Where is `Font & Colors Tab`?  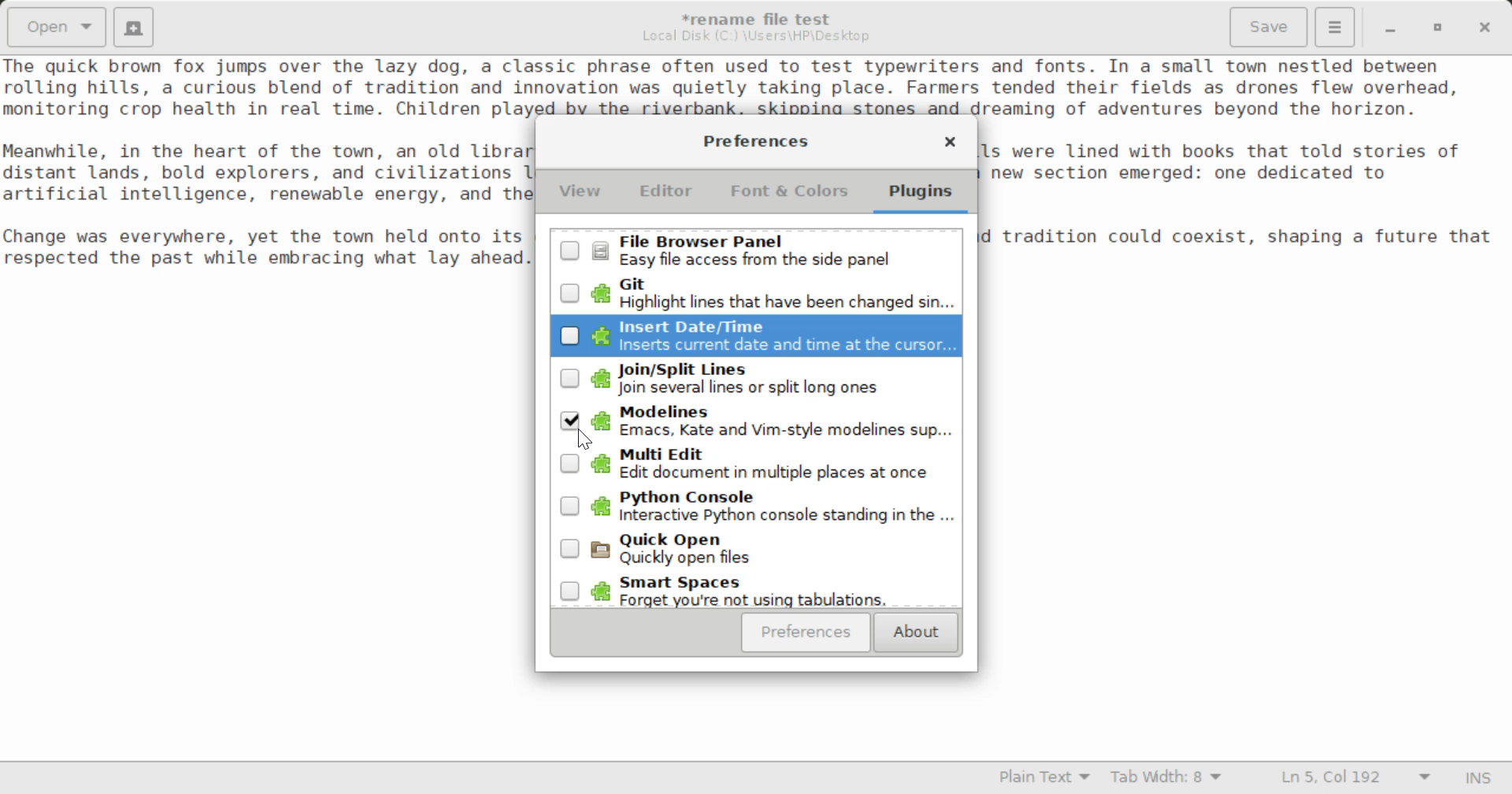 Font & Colors Tab is located at coordinates (789, 197).